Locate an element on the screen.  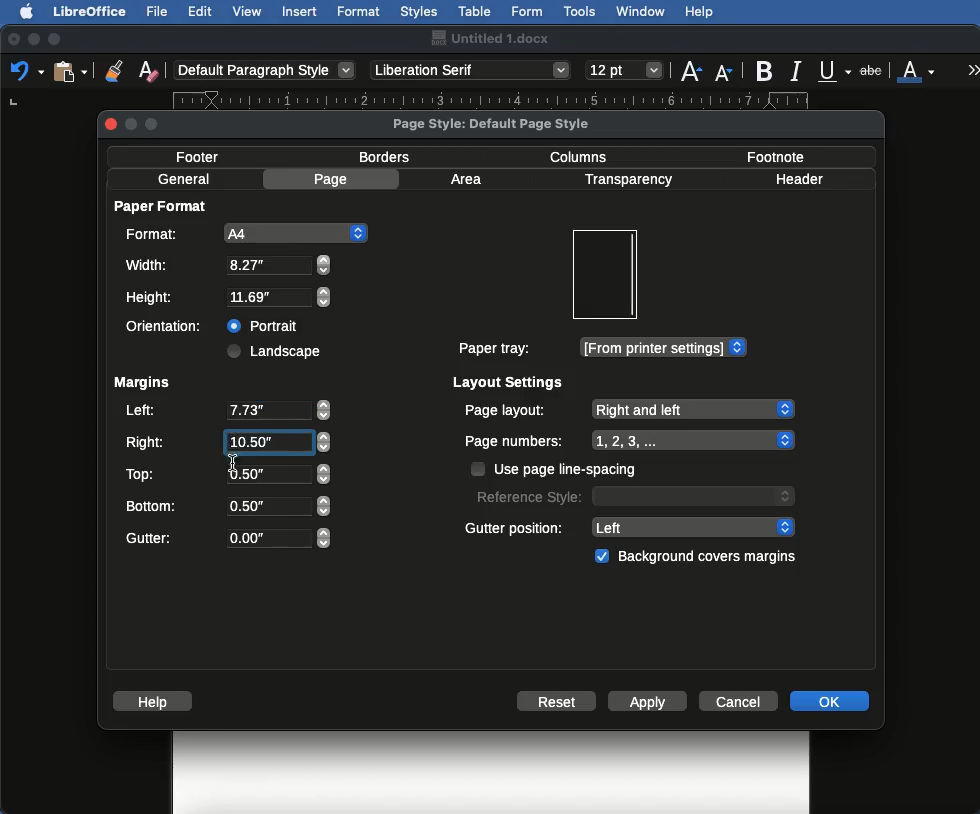
Paragraph style is located at coordinates (266, 70).